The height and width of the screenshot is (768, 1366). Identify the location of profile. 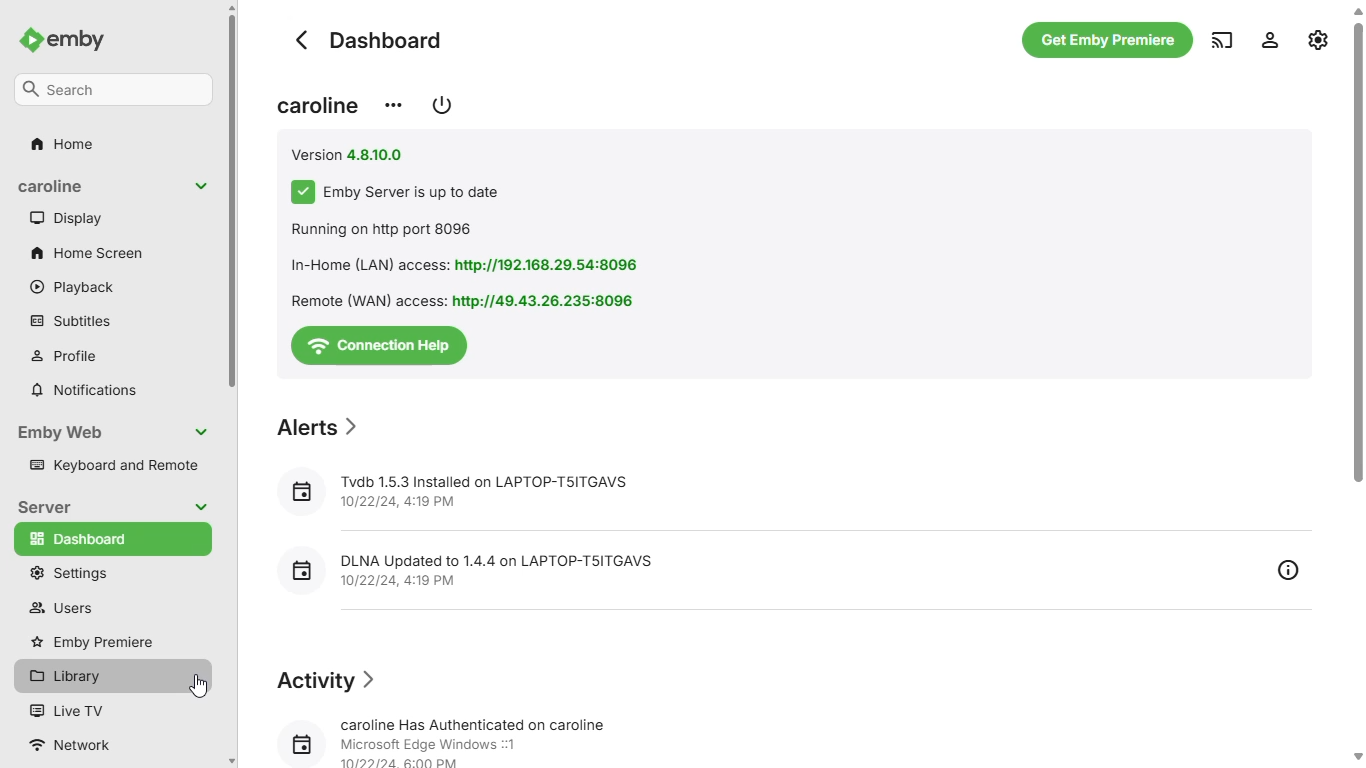
(65, 356).